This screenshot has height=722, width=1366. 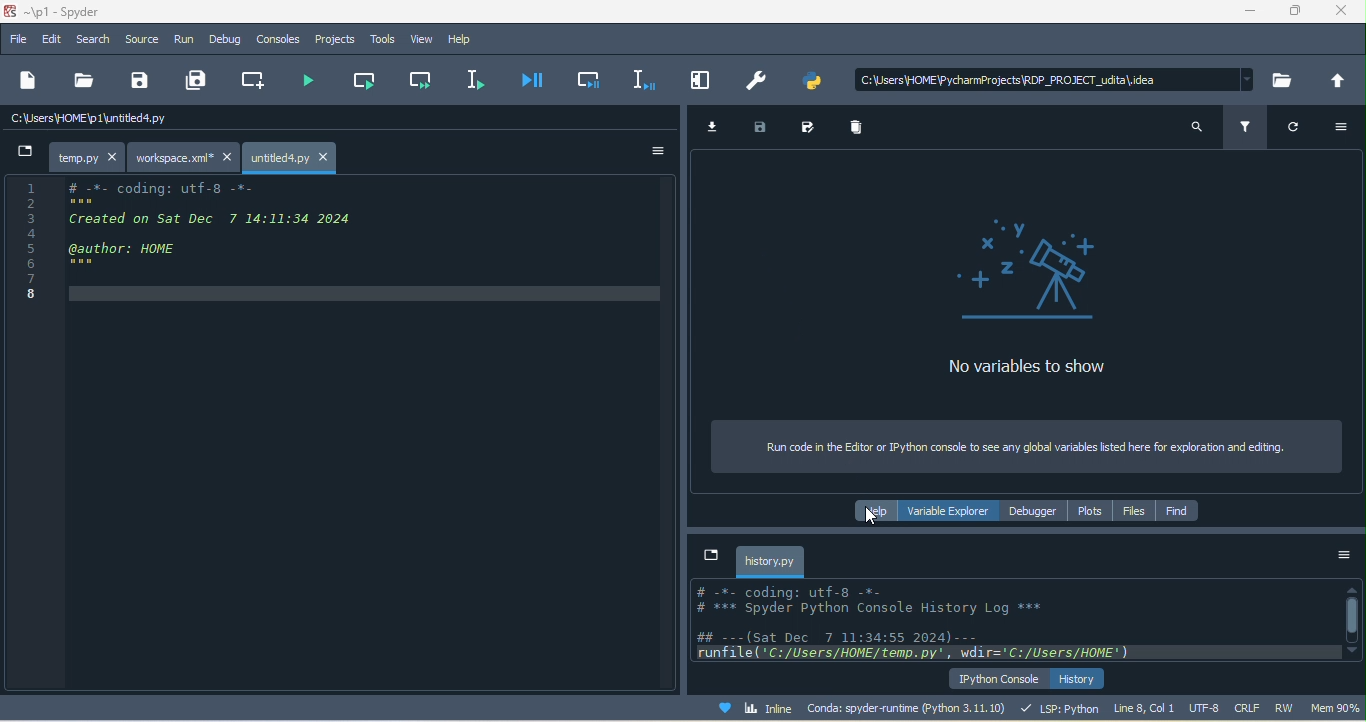 What do you see at coordinates (1091, 512) in the screenshot?
I see `plots` at bounding box center [1091, 512].